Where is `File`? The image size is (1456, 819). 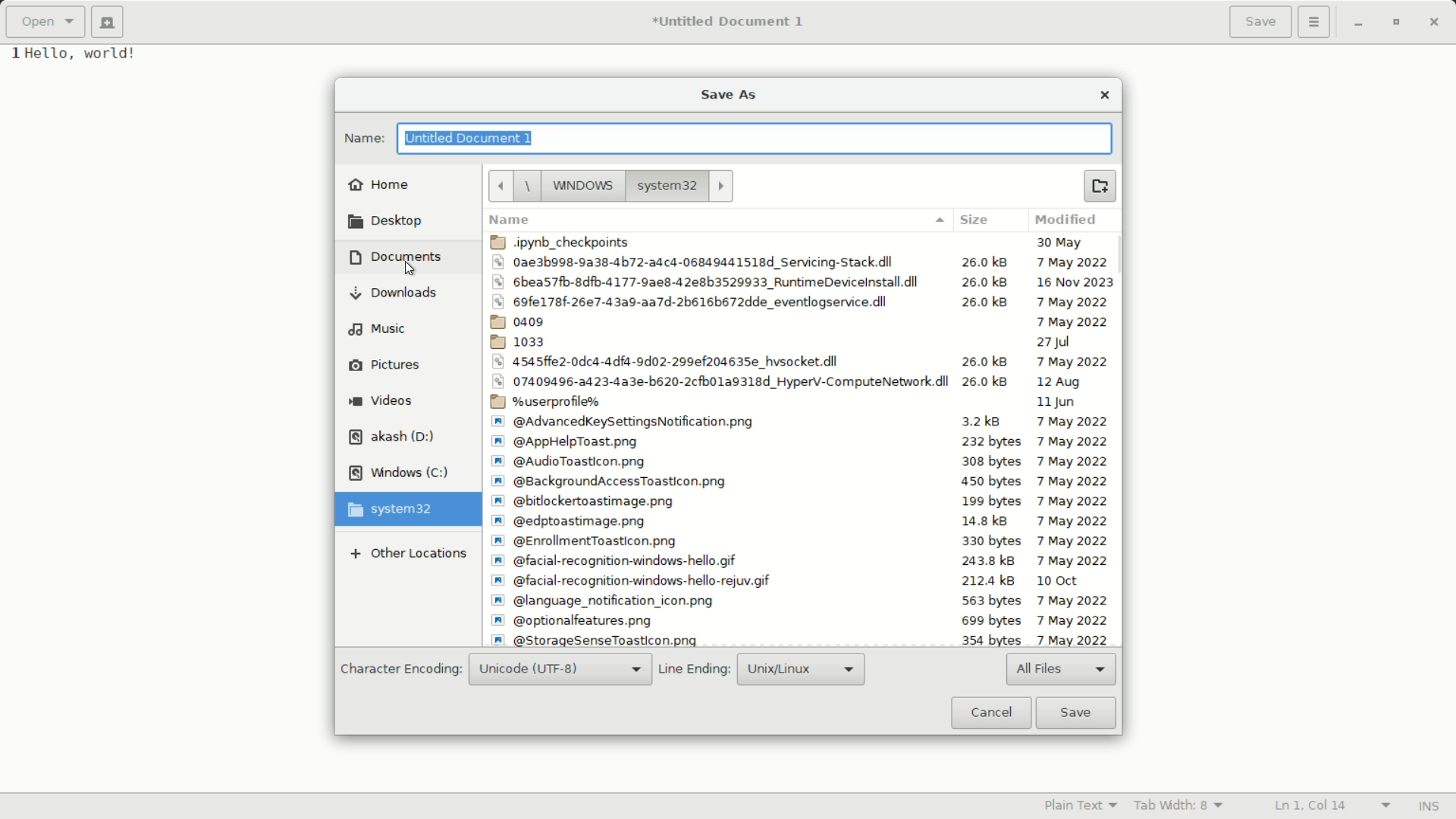
File is located at coordinates (802, 321).